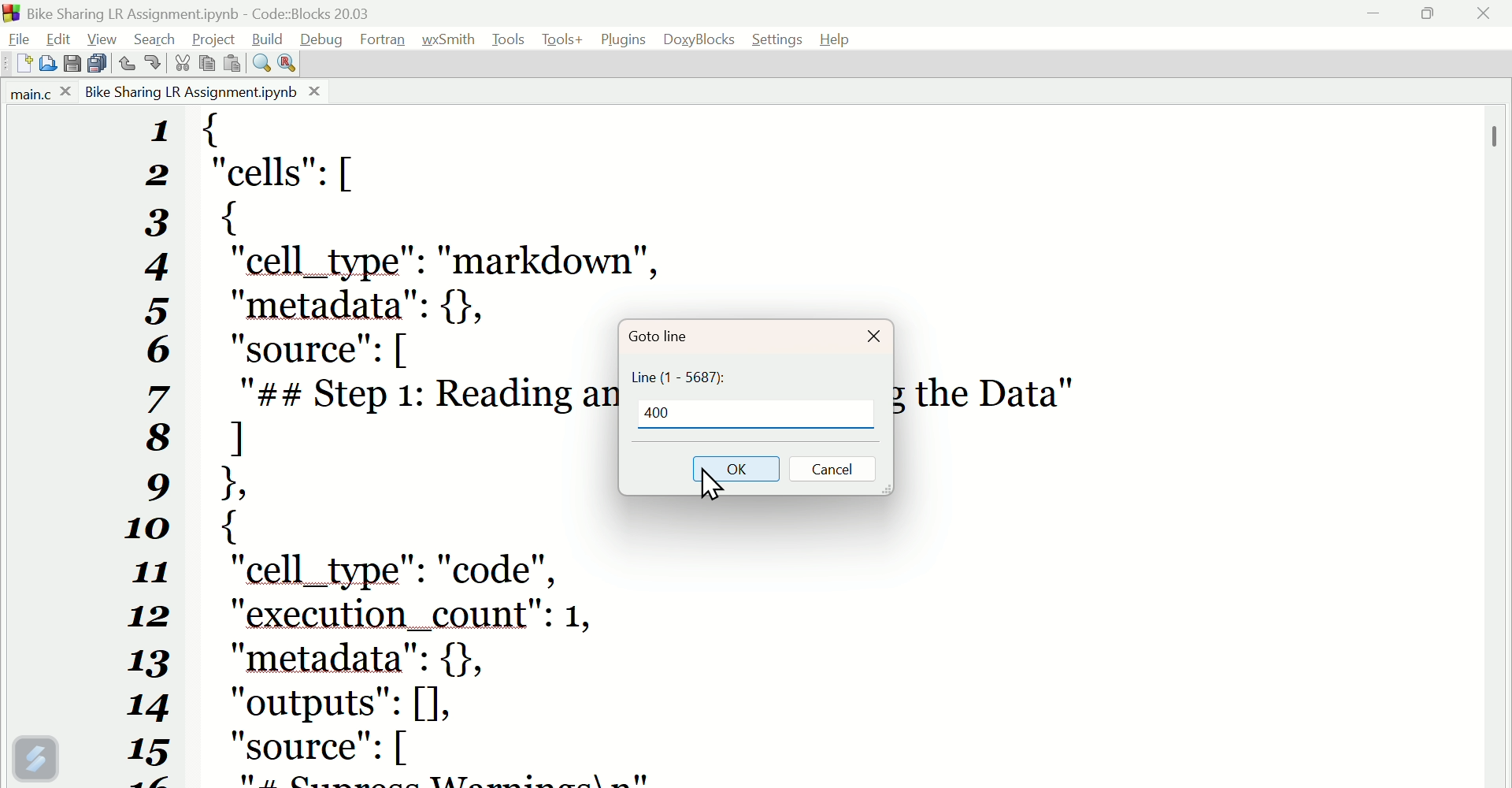  I want to click on Build, so click(270, 38).